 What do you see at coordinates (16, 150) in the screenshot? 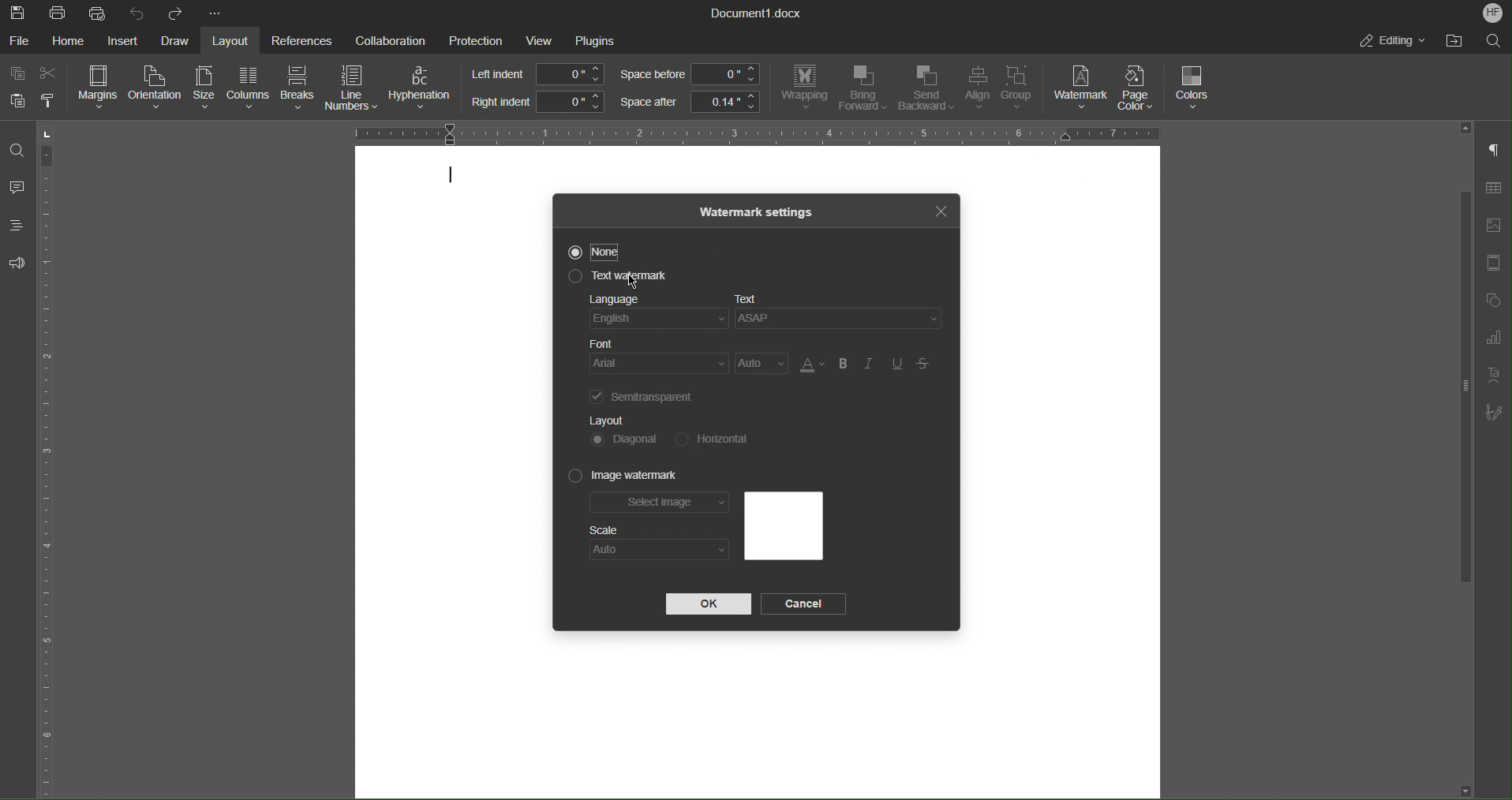
I see `Find` at bounding box center [16, 150].